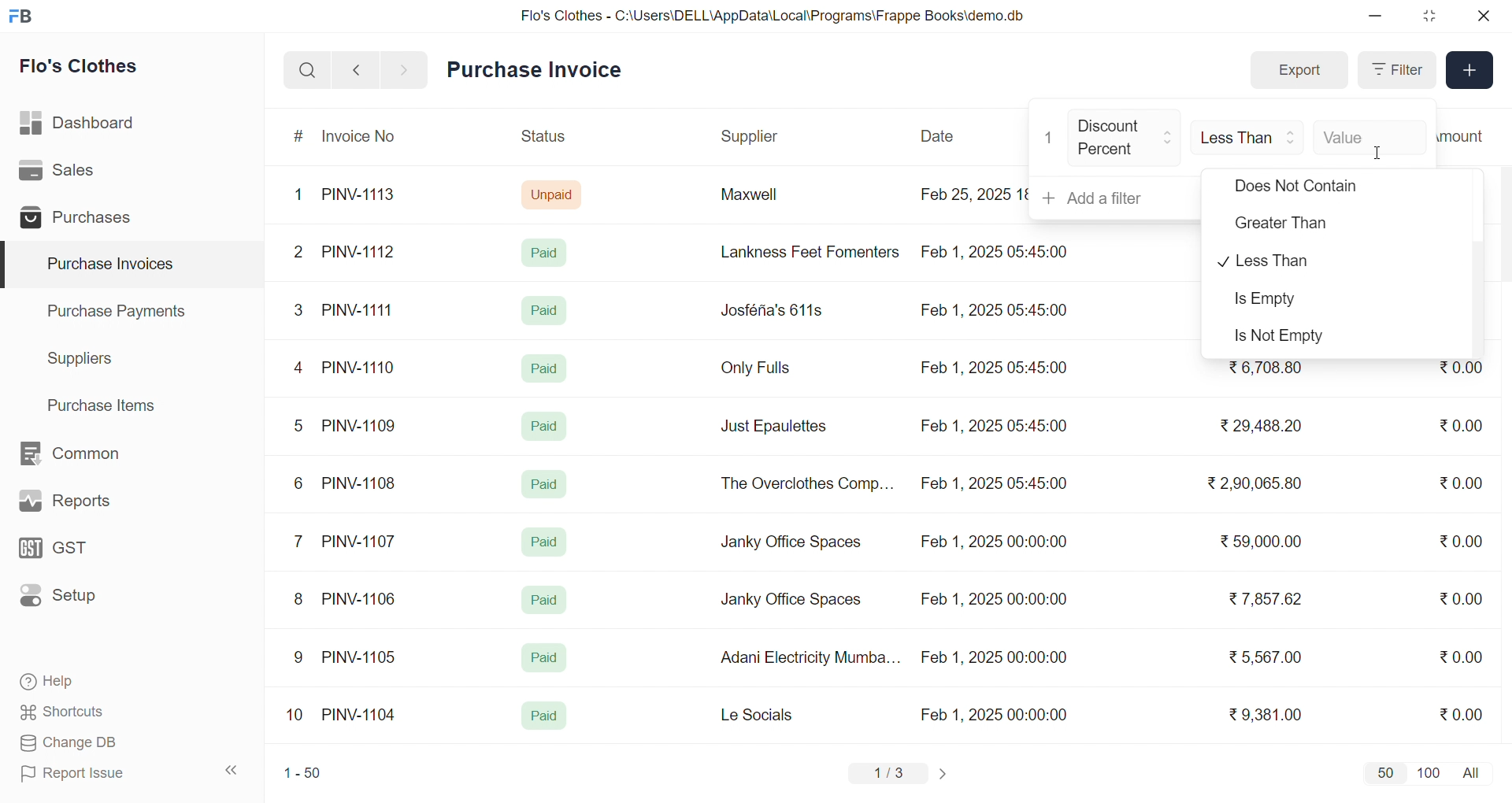 This screenshot has width=1512, height=803. What do you see at coordinates (991, 597) in the screenshot?
I see `Feb 1, 2025 00:00:00` at bounding box center [991, 597].